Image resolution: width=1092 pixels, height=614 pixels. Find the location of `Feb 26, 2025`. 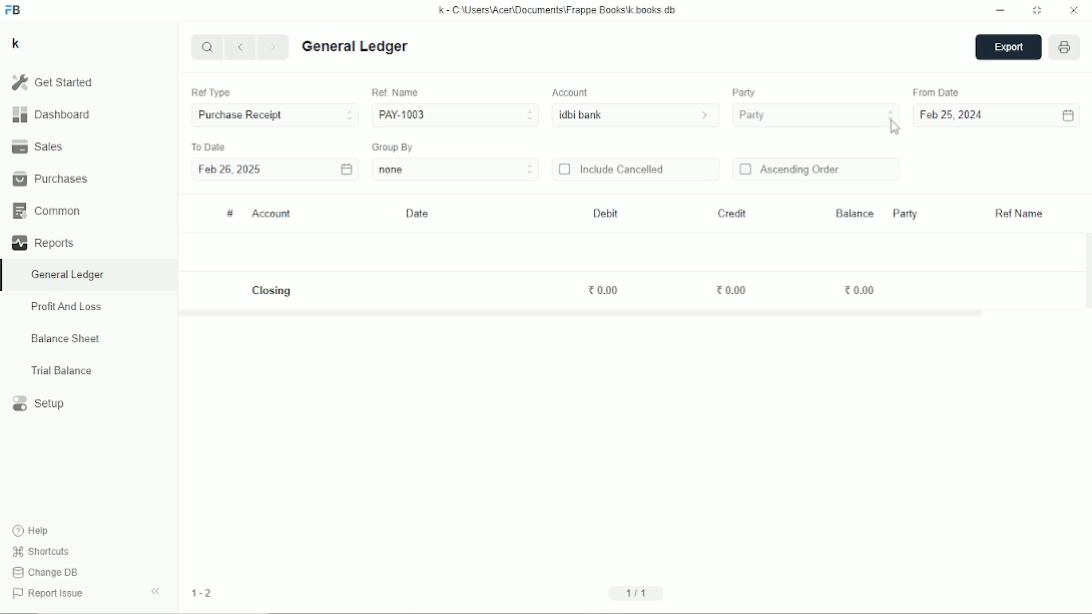

Feb 26, 2025 is located at coordinates (230, 171).